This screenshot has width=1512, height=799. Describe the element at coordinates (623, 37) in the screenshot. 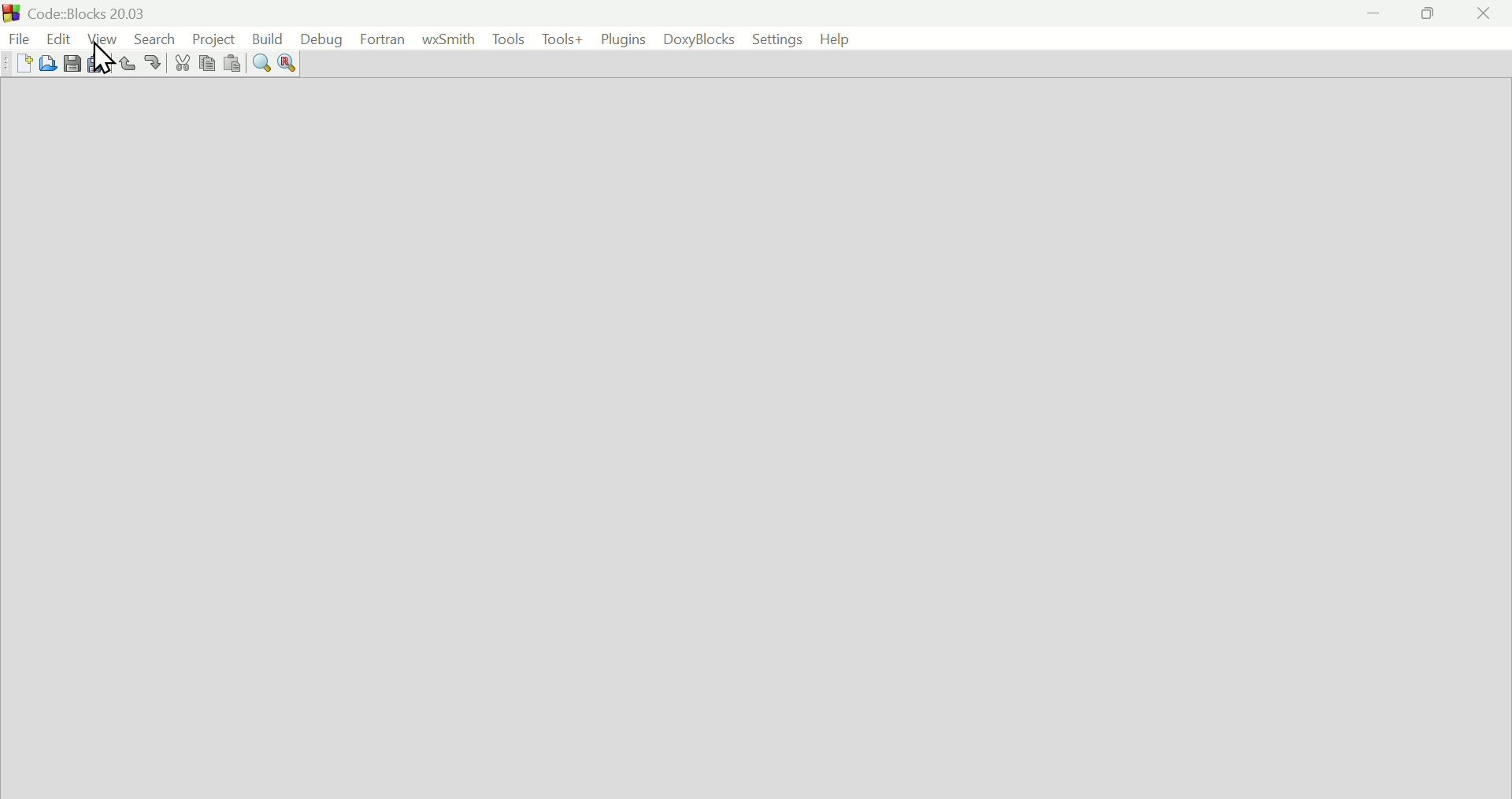

I see `Plugins` at that location.